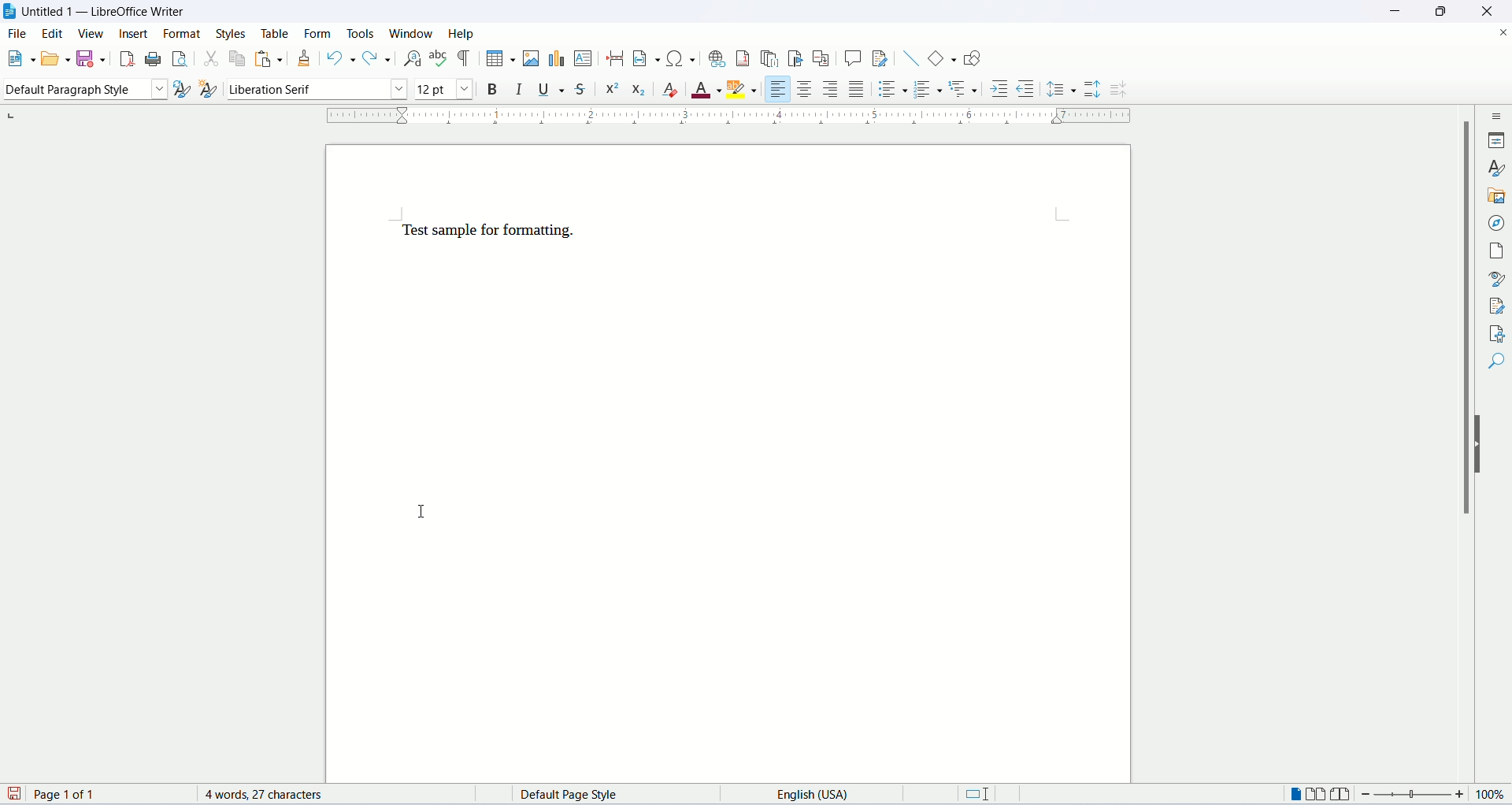  Describe the element at coordinates (1433, 797) in the screenshot. I see `zoom factor` at that location.